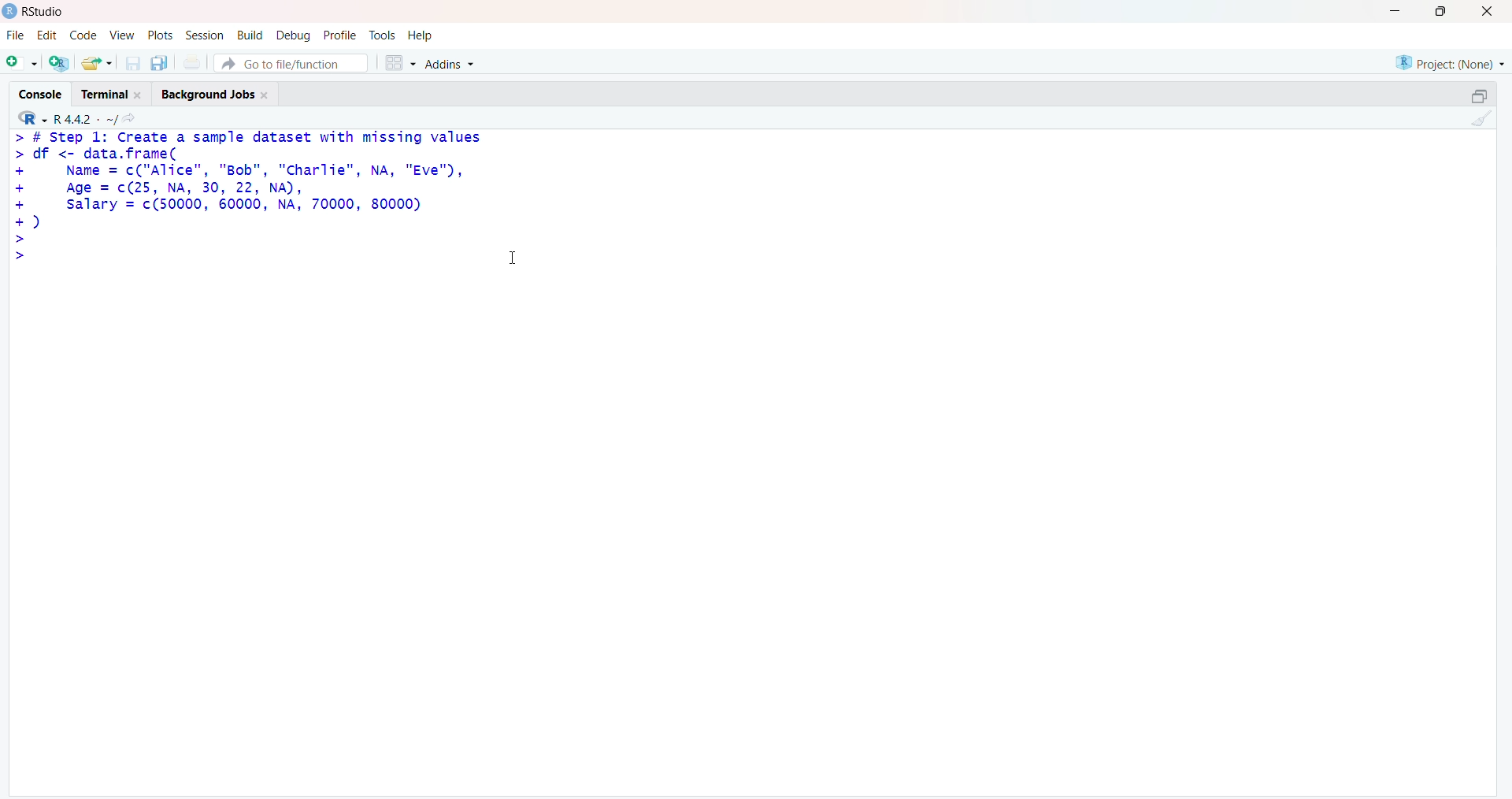 Image resolution: width=1512 pixels, height=799 pixels. I want to click on Edit, so click(46, 36).